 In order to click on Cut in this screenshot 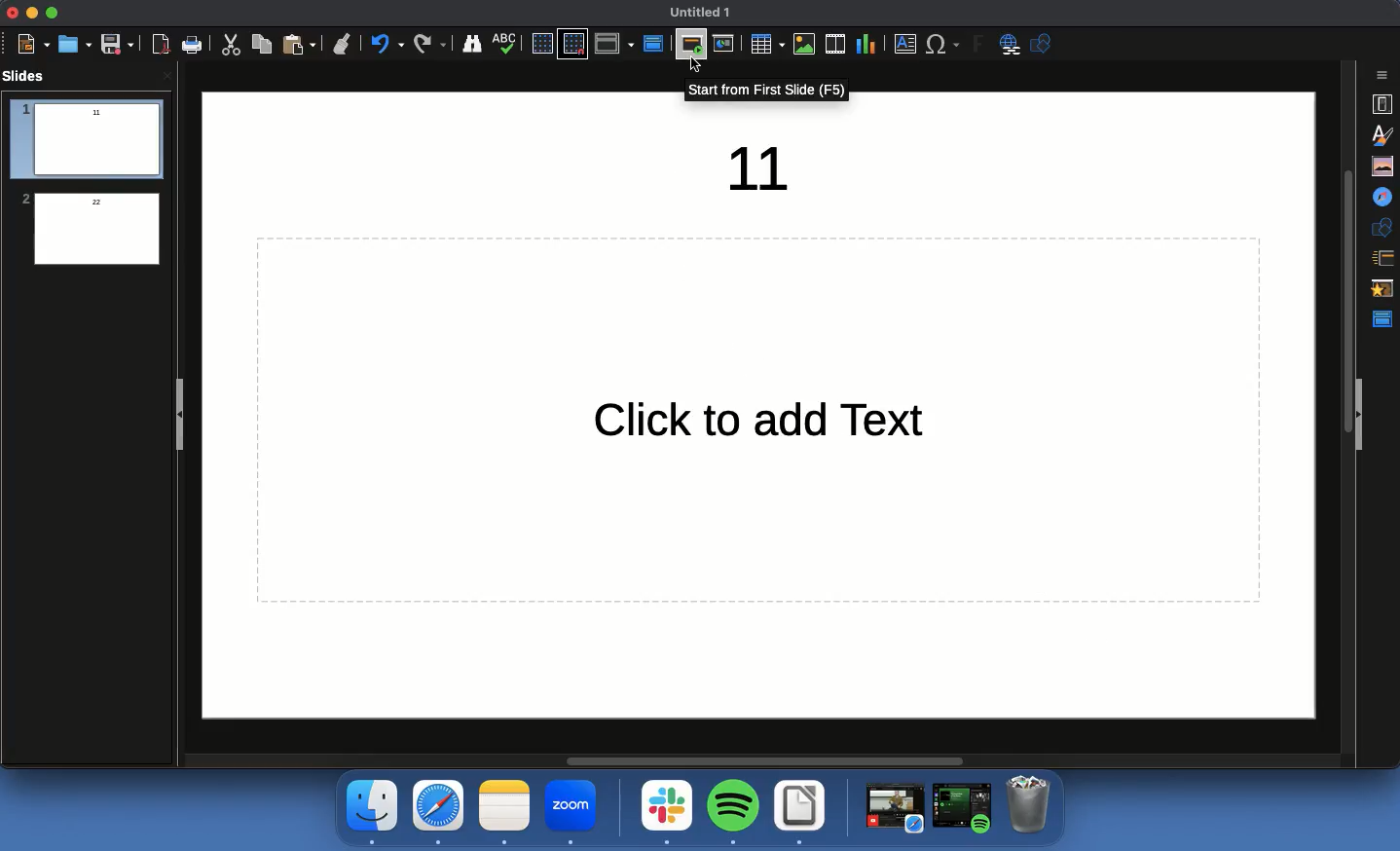, I will do `click(228, 46)`.